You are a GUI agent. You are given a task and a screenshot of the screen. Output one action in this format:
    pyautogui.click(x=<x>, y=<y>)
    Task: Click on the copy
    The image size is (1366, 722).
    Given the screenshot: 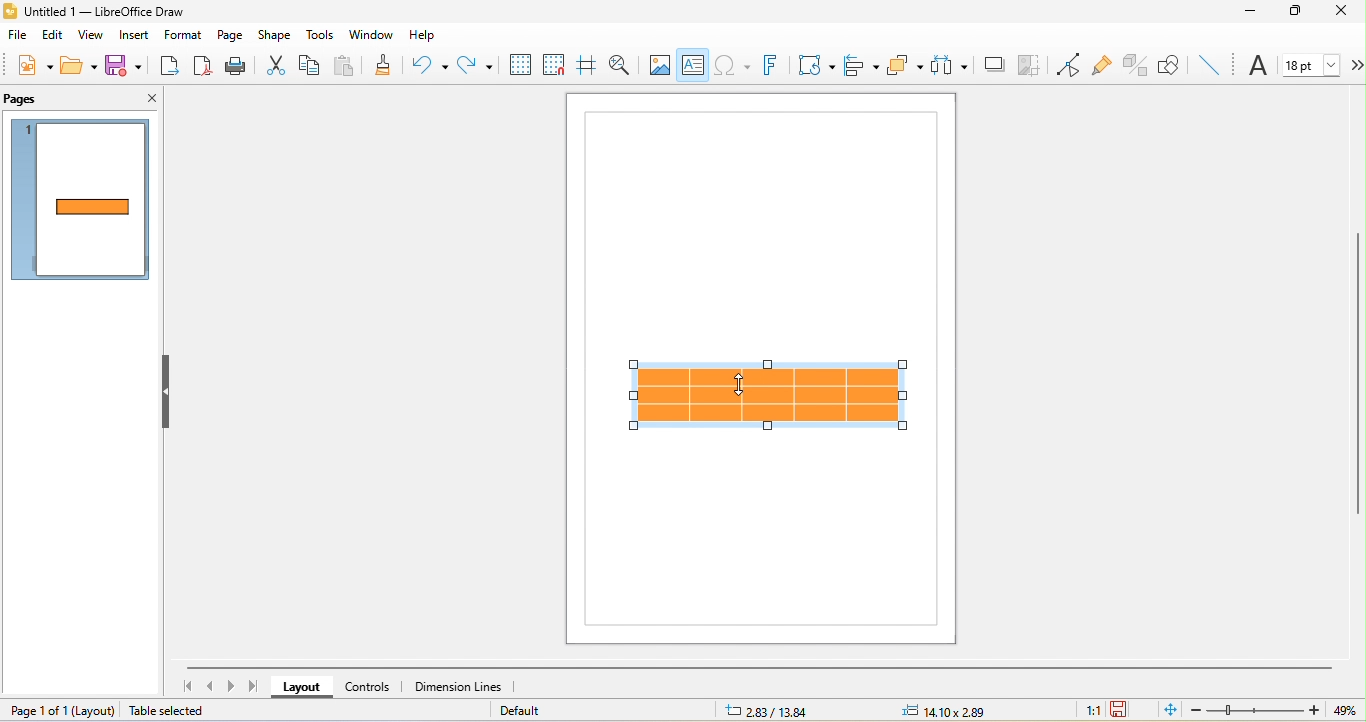 What is the action you would take?
    pyautogui.click(x=313, y=66)
    